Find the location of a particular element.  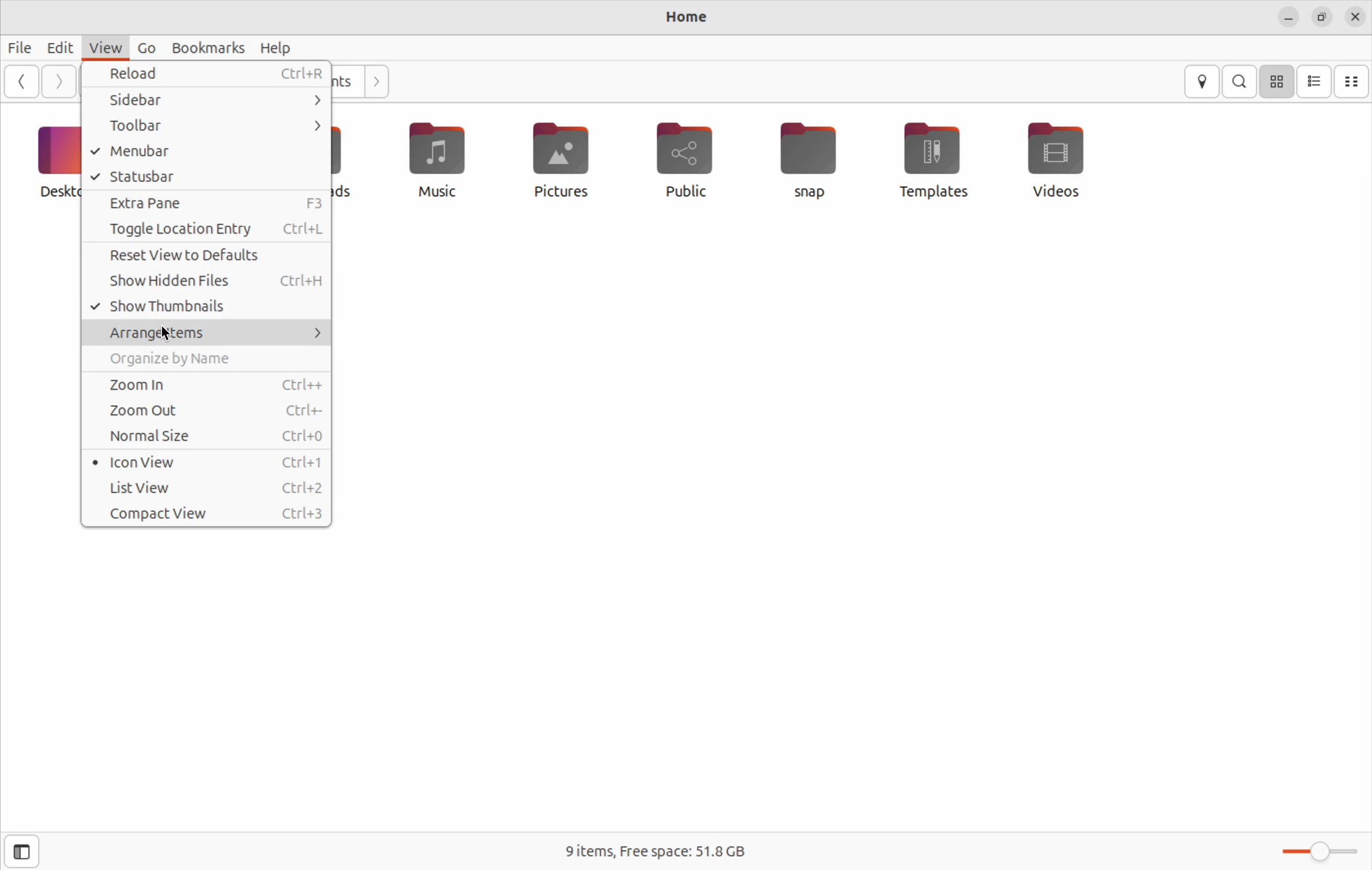

next is located at coordinates (57, 83).